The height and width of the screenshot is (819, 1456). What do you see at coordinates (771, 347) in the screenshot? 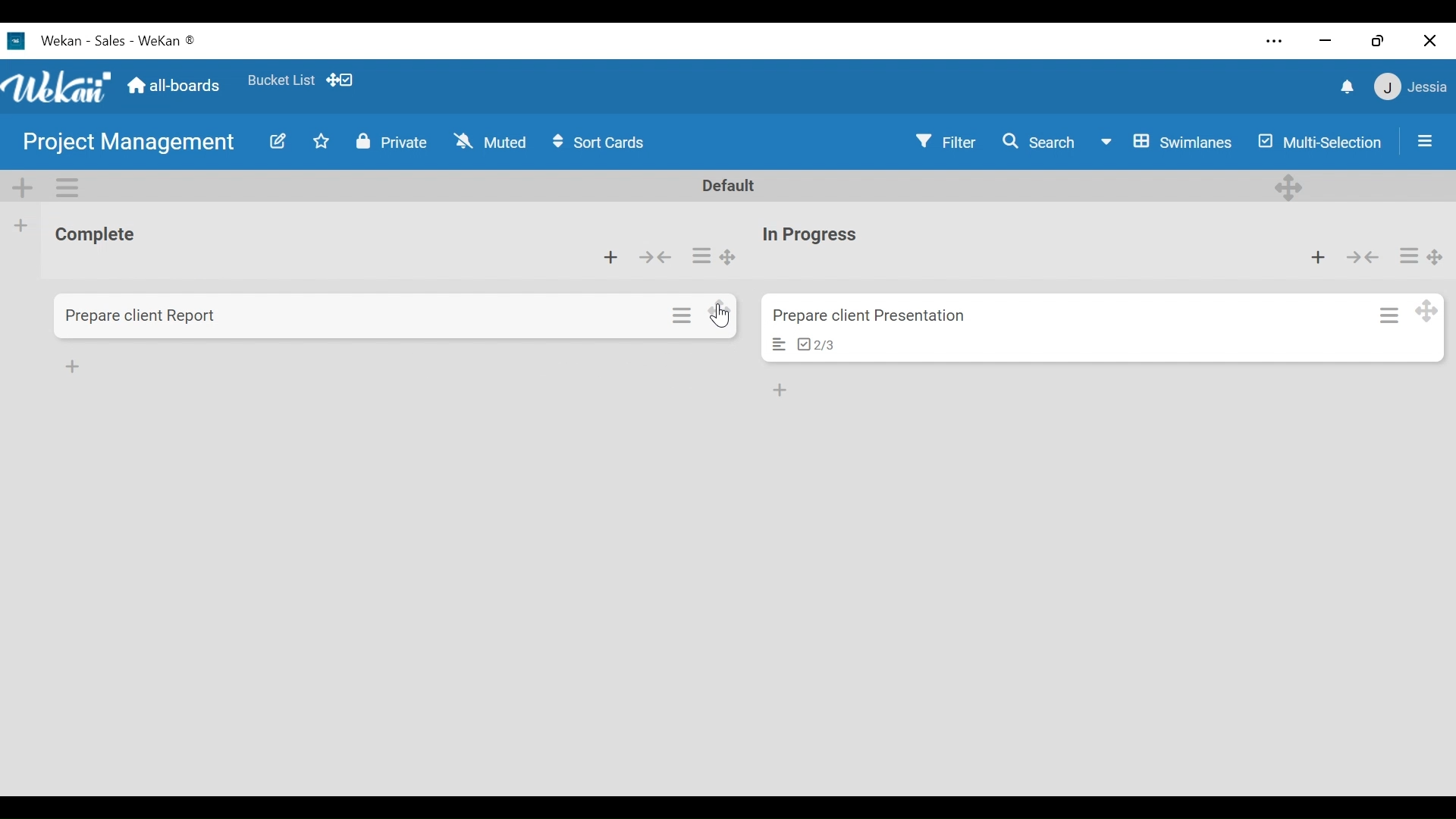
I see `card description` at bounding box center [771, 347].